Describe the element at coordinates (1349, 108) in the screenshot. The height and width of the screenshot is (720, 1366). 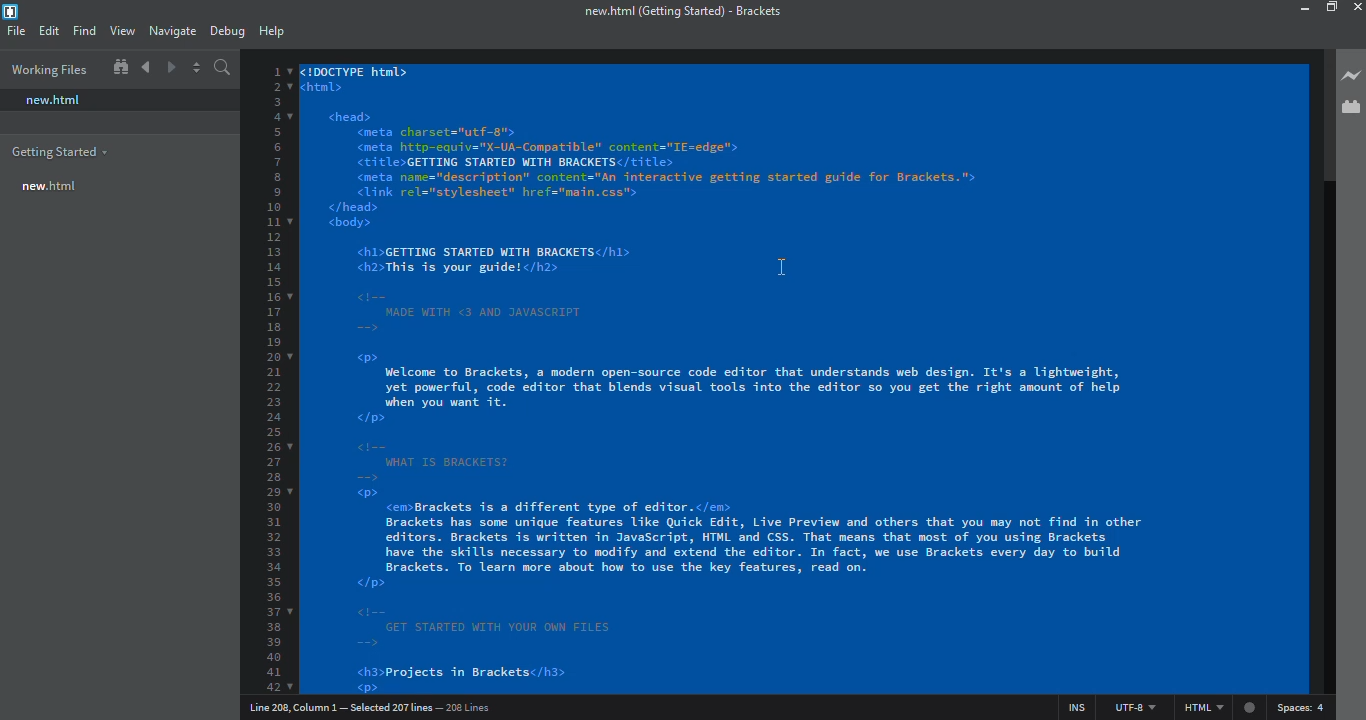
I see `extension manager` at that location.